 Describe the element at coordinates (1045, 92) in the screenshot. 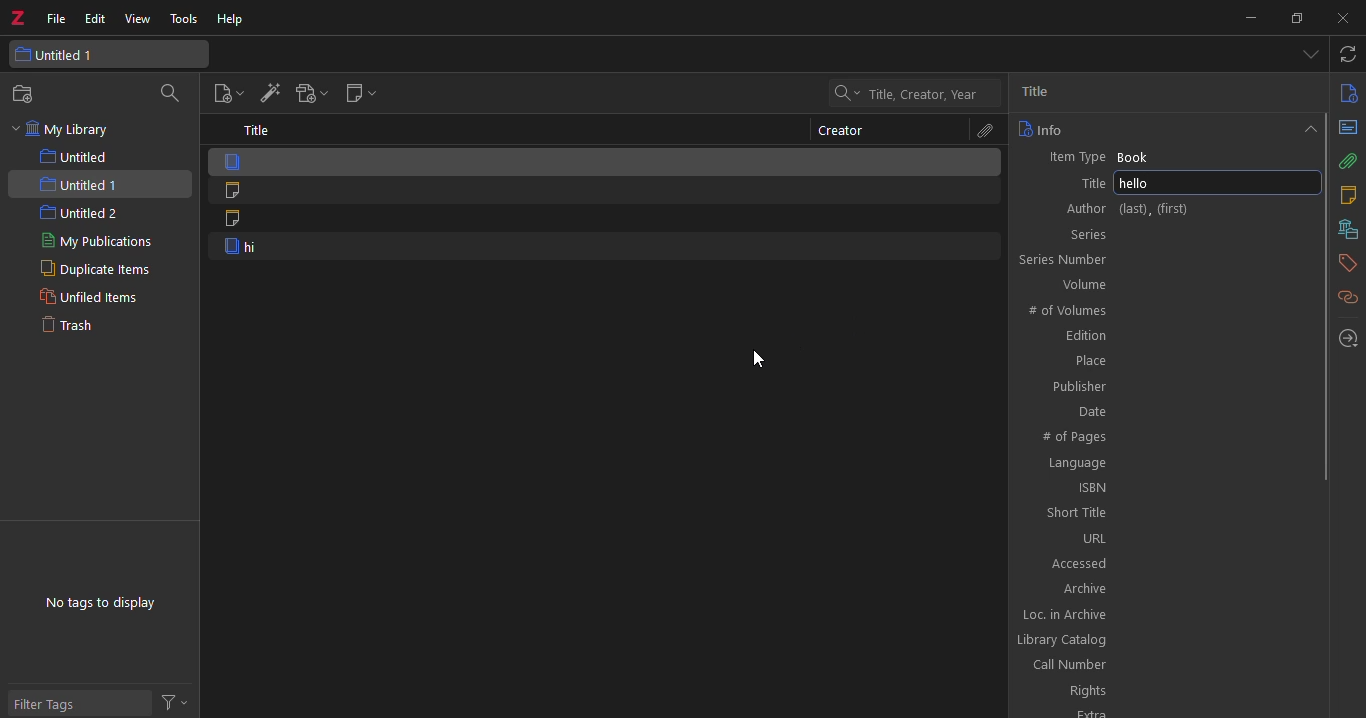

I see `title` at that location.